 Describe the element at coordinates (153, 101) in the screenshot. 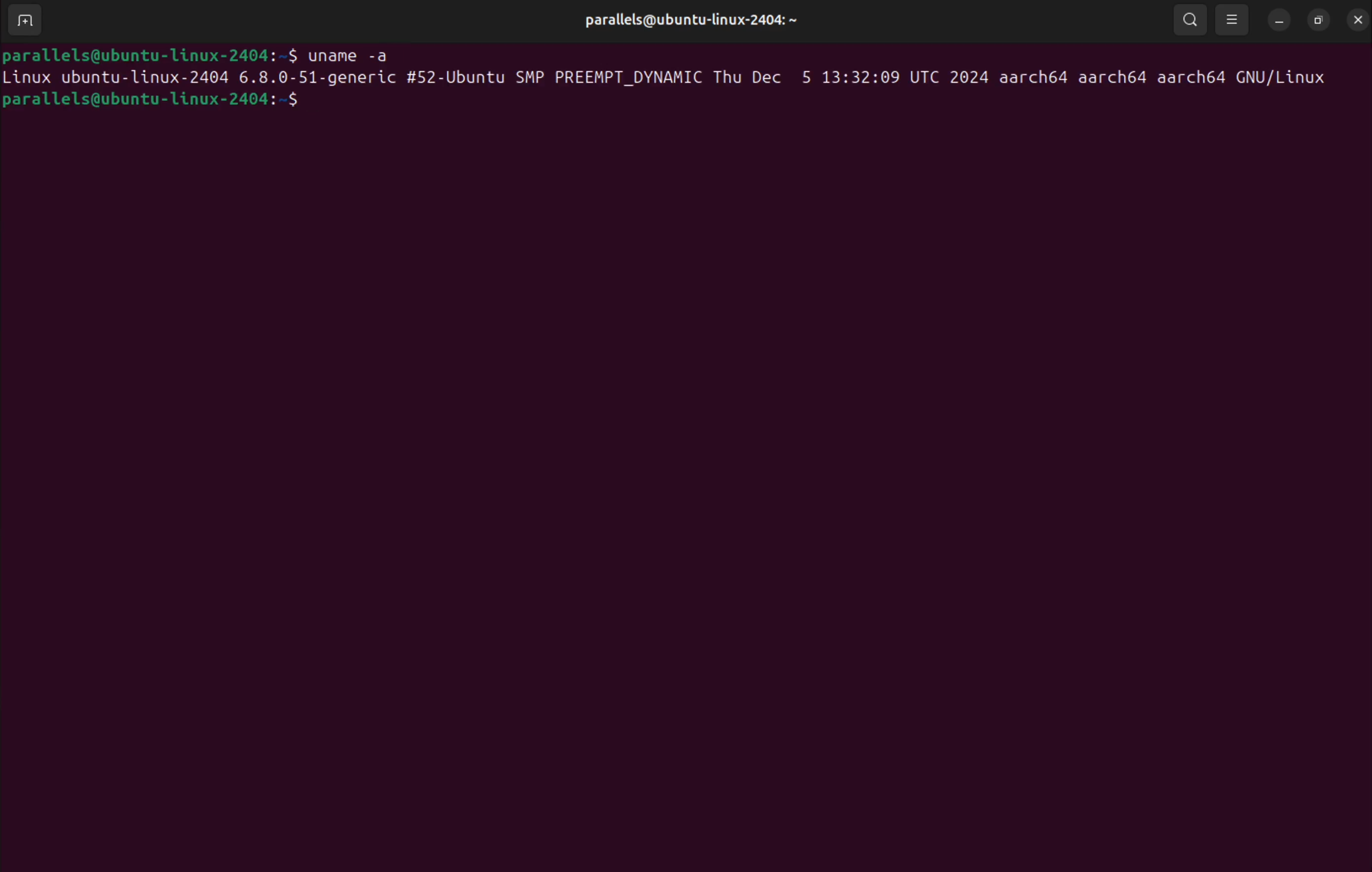

I see `parallels@ubuntu-linux-2404:~$` at that location.